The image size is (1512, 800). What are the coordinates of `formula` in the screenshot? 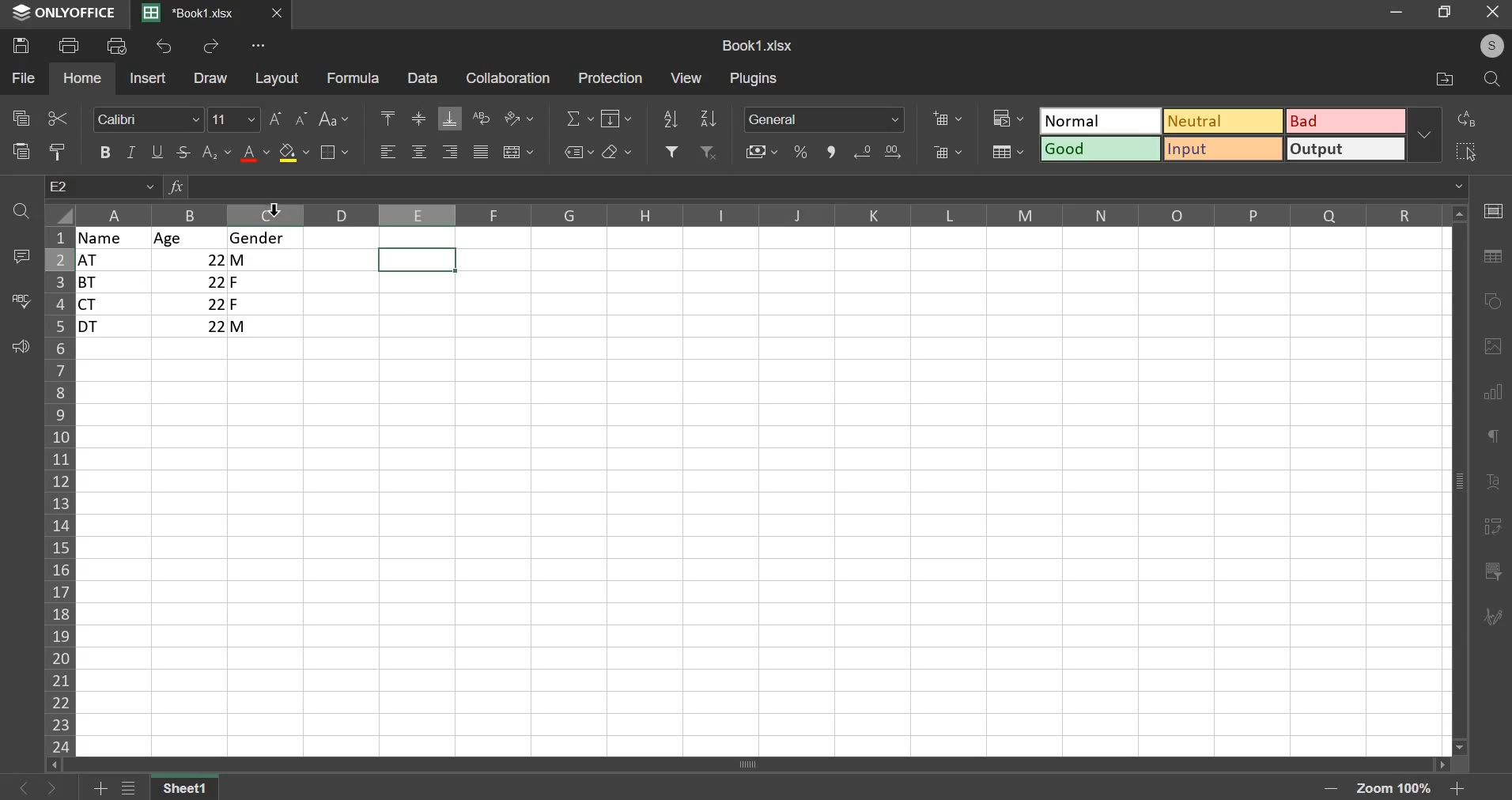 It's located at (352, 77).